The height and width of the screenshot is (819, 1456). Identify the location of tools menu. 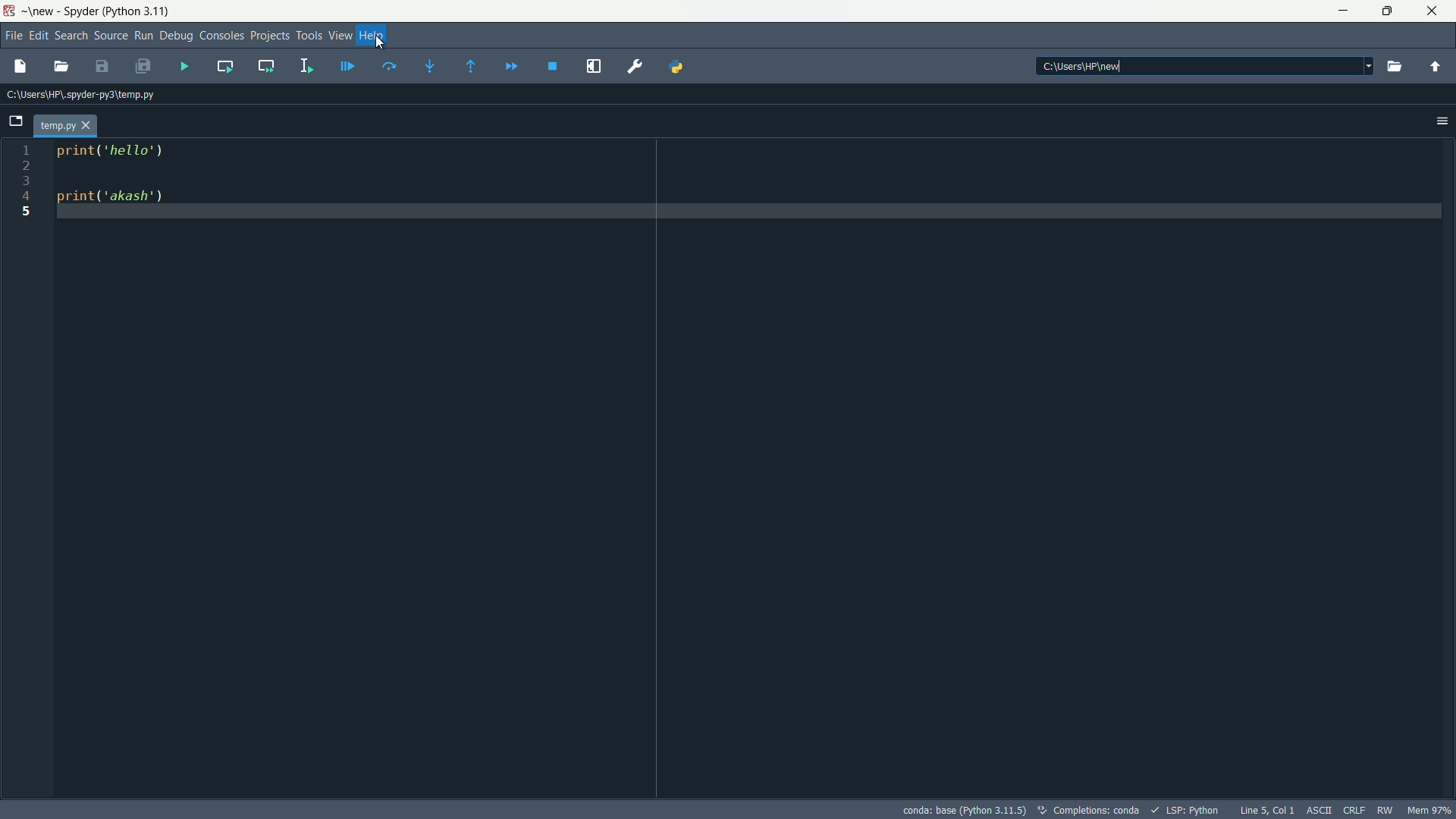
(309, 36).